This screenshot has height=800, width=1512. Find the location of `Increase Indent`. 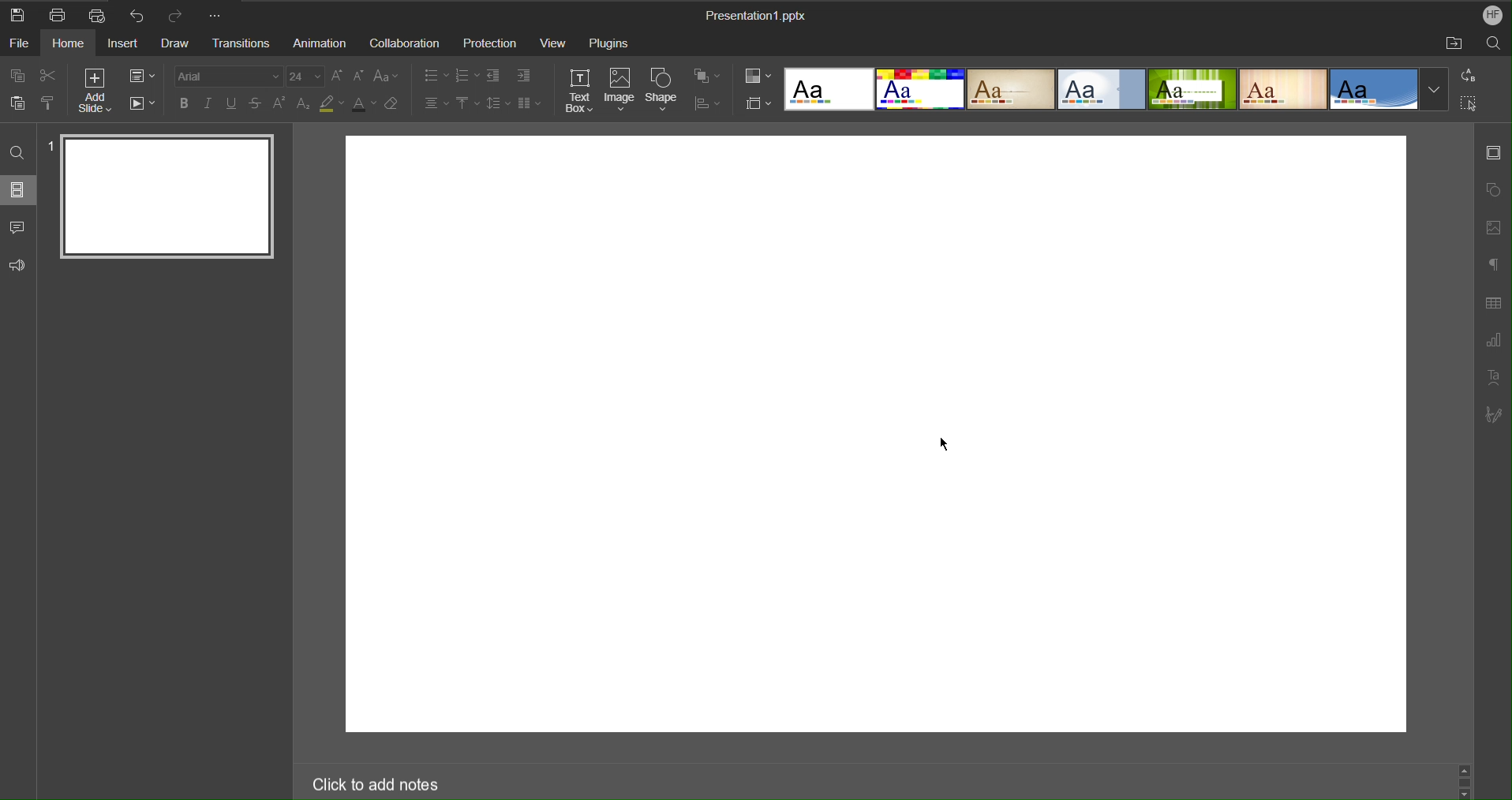

Increase Indent is located at coordinates (523, 75).